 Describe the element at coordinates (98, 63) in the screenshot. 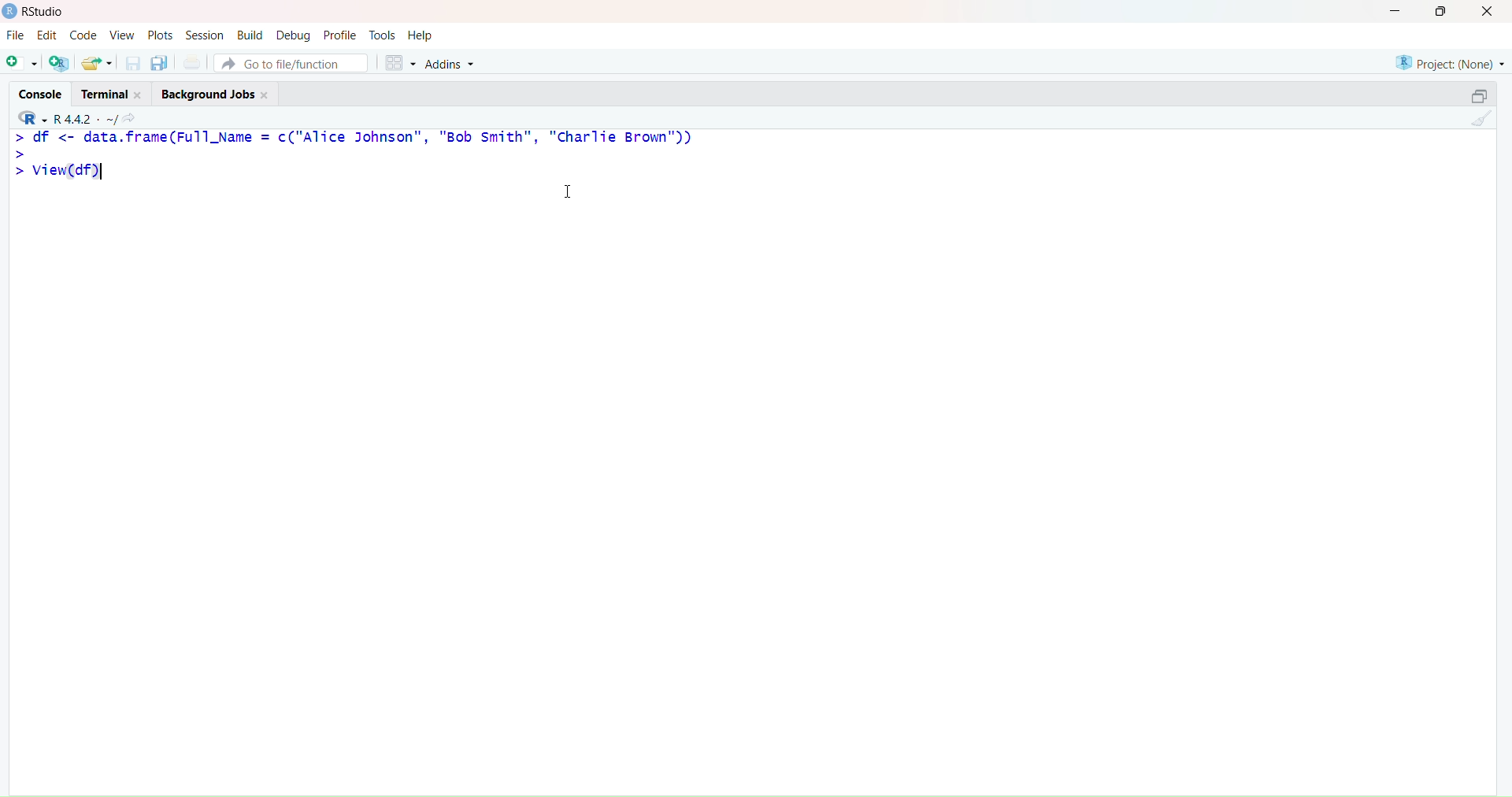

I see `Open an existing file (Ctrl + O)` at that location.